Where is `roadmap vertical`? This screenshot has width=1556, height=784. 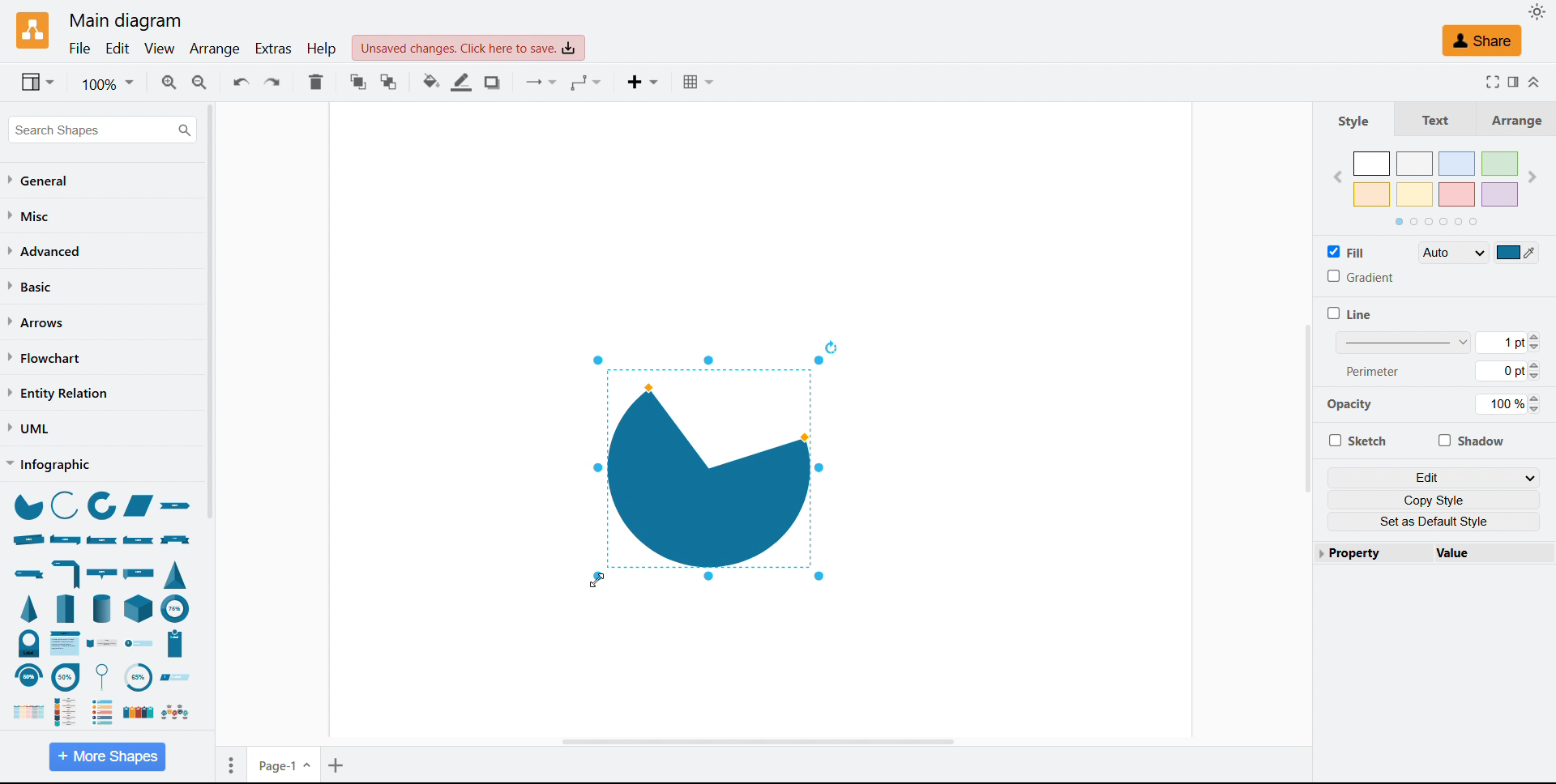
roadmap vertical is located at coordinates (71, 710).